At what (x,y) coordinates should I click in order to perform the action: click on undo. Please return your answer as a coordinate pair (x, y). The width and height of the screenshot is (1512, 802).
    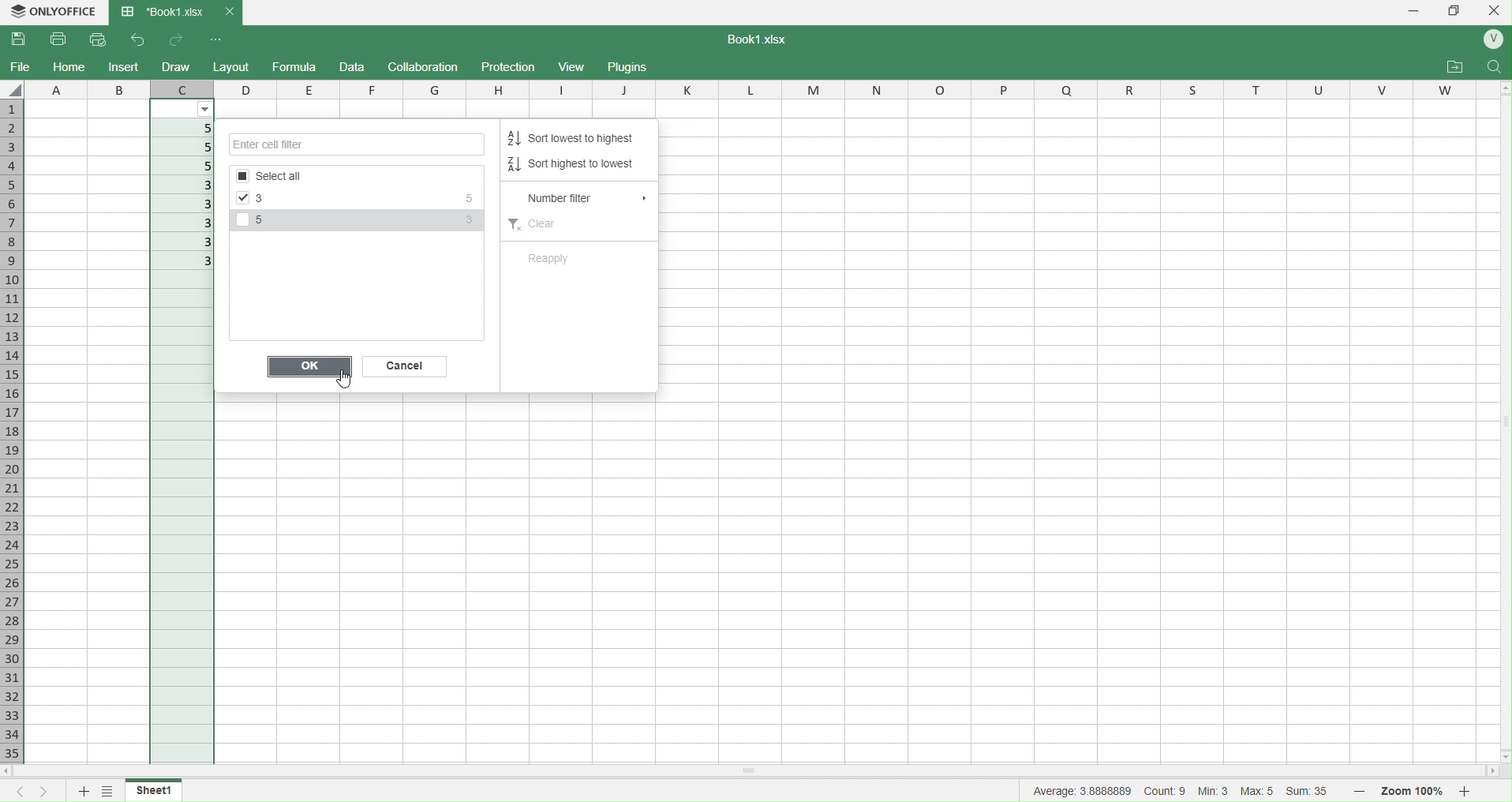
    Looking at the image, I should click on (133, 41).